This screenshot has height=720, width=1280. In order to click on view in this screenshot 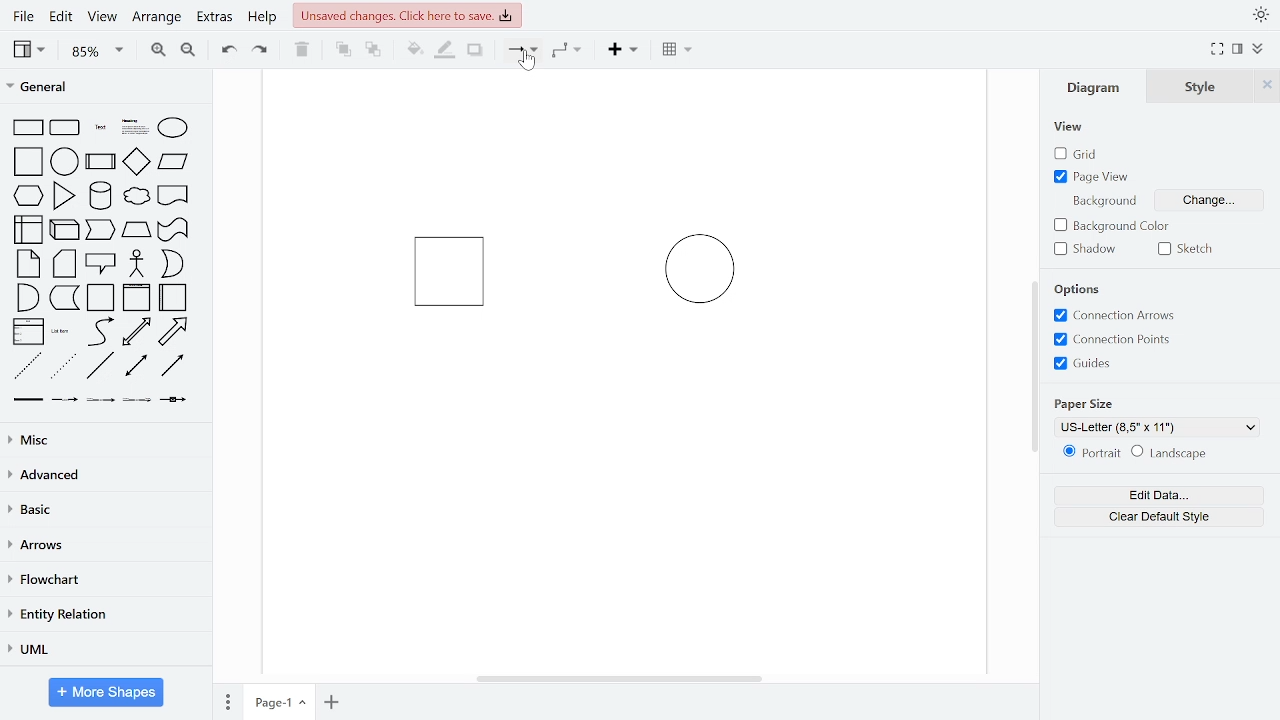, I will do `click(100, 18)`.